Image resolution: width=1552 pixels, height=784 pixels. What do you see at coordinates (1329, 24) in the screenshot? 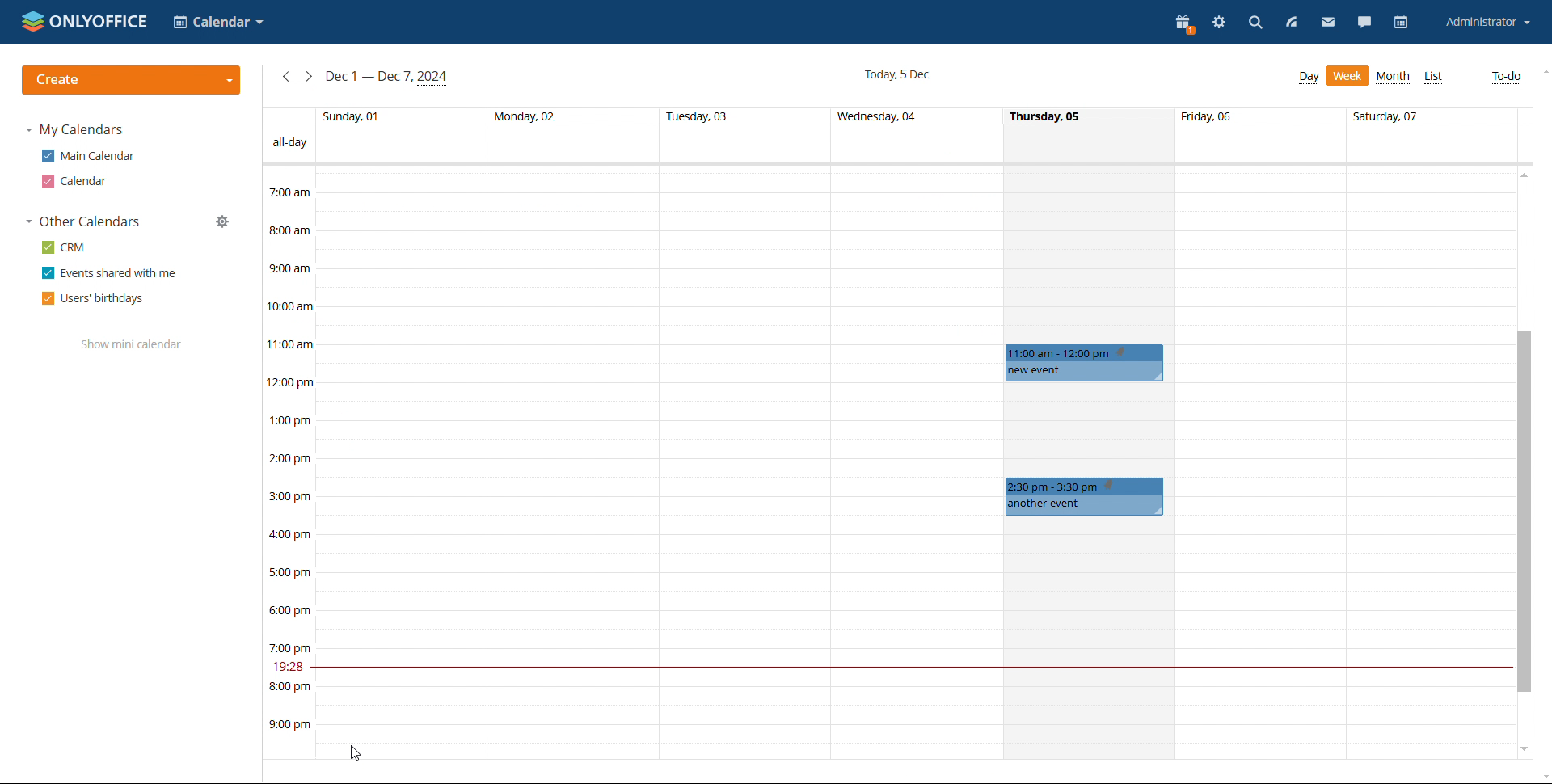
I see `mail` at bounding box center [1329, 24].